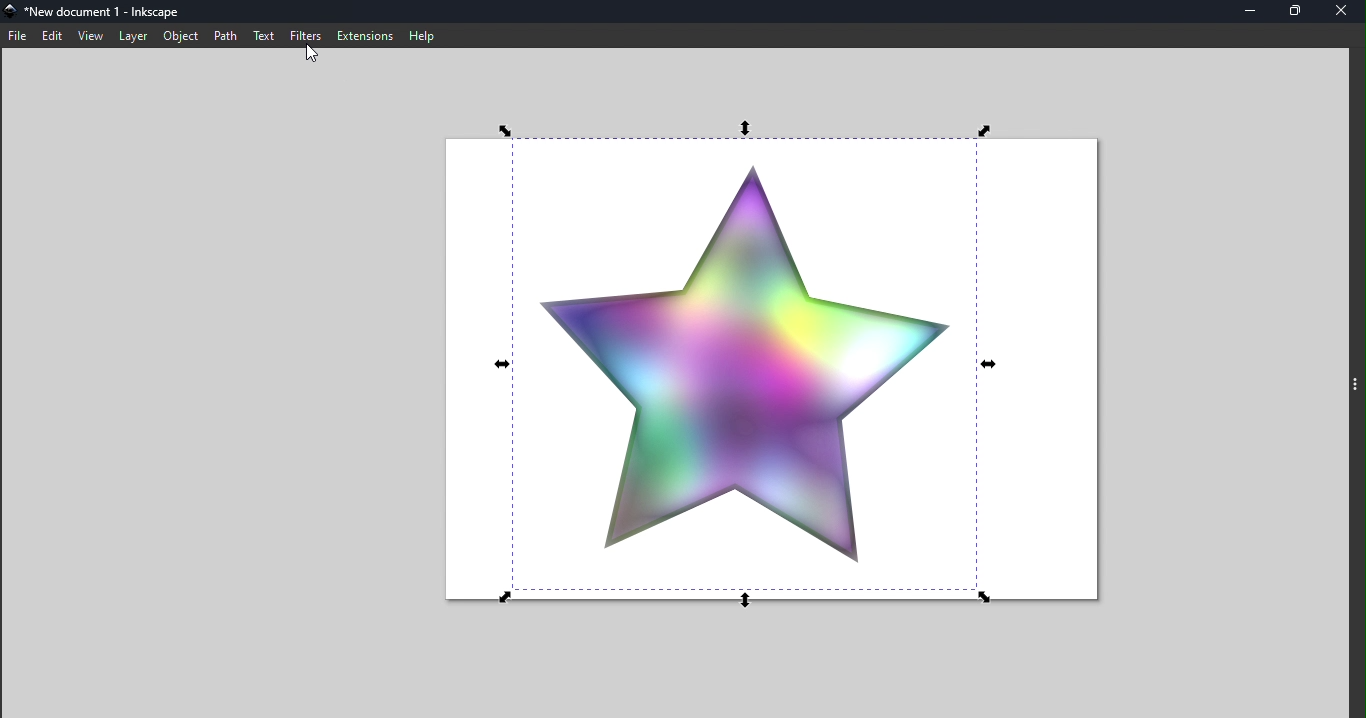 The height and width of the screenshot is (718, 1366). I want to click on Filters, so click(306, 36).